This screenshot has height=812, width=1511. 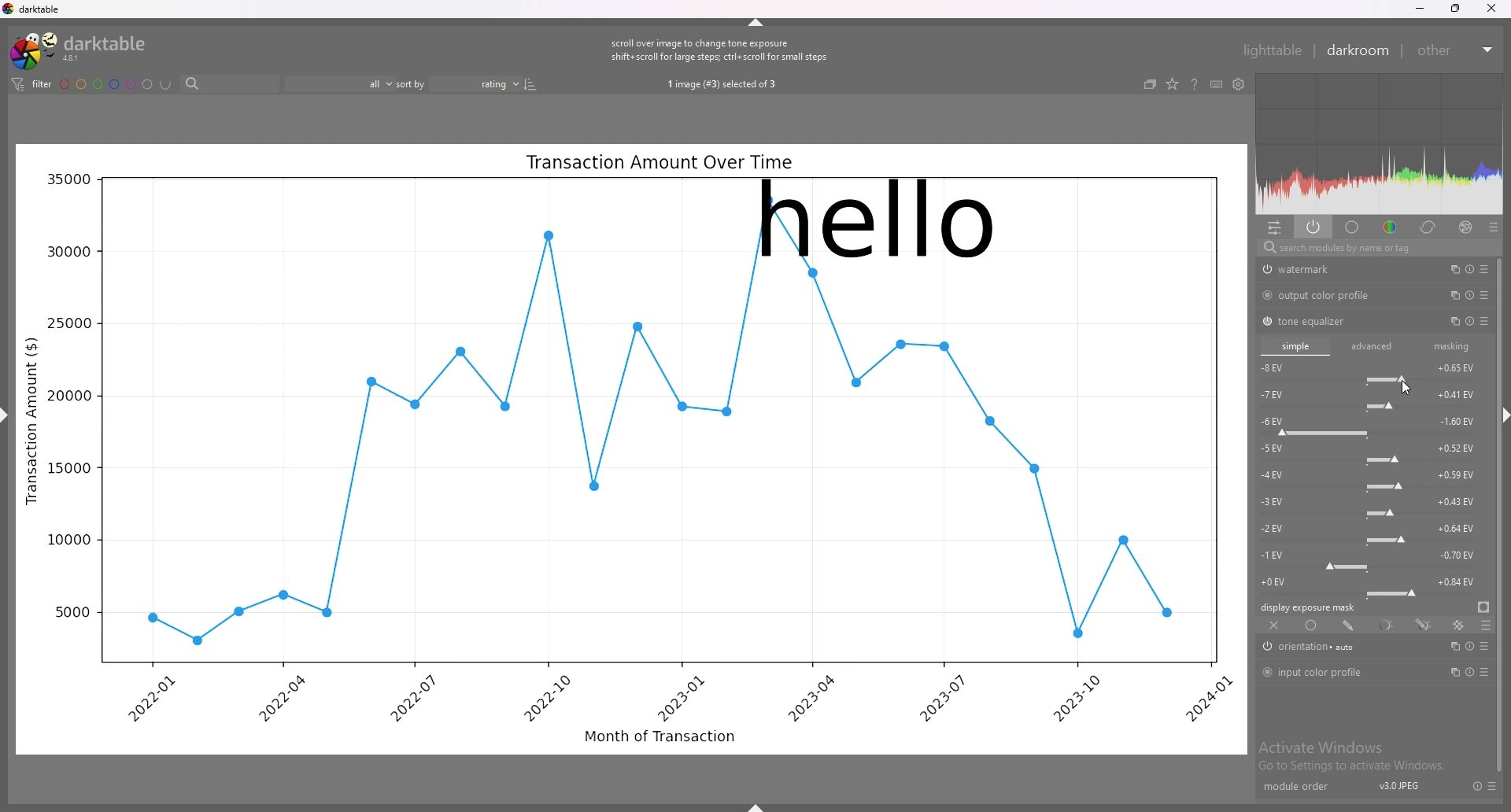 I want to click on masking, so click(x=1448, y=346).